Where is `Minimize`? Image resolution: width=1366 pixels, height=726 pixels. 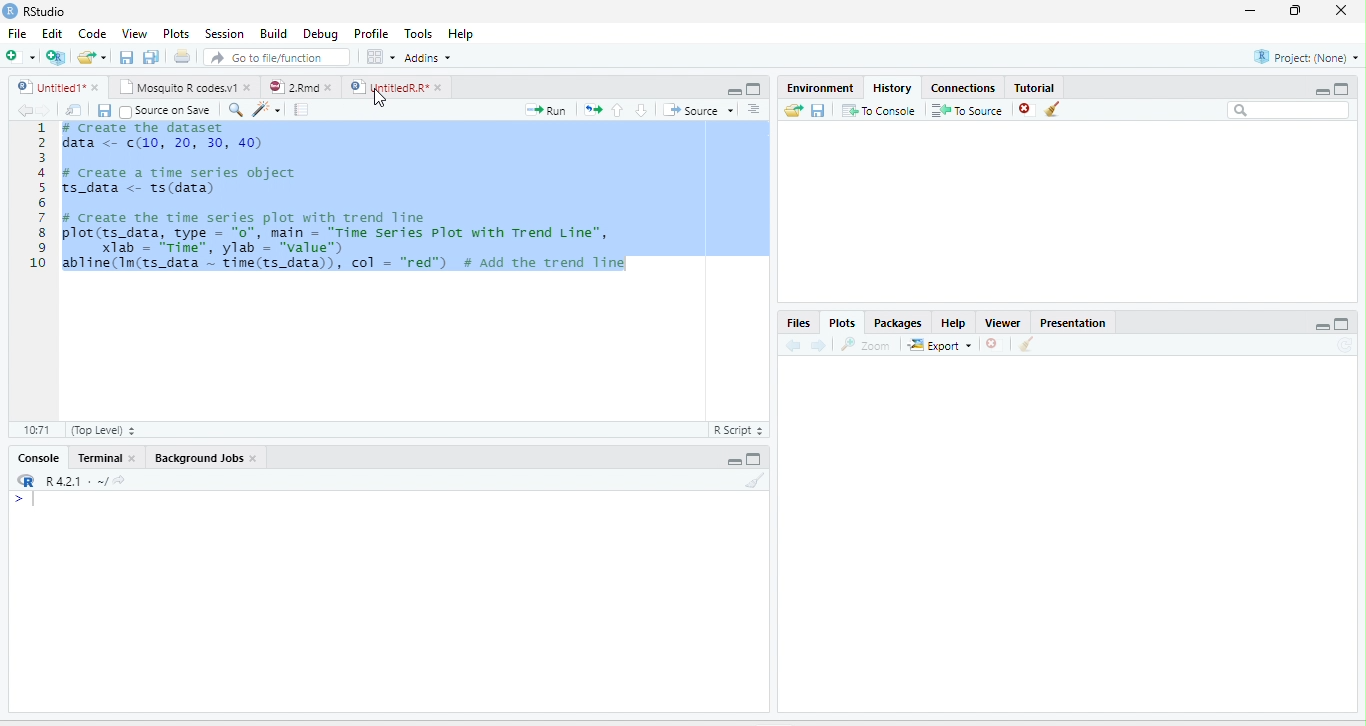 Minimize is located at coordinates (1321, 326).